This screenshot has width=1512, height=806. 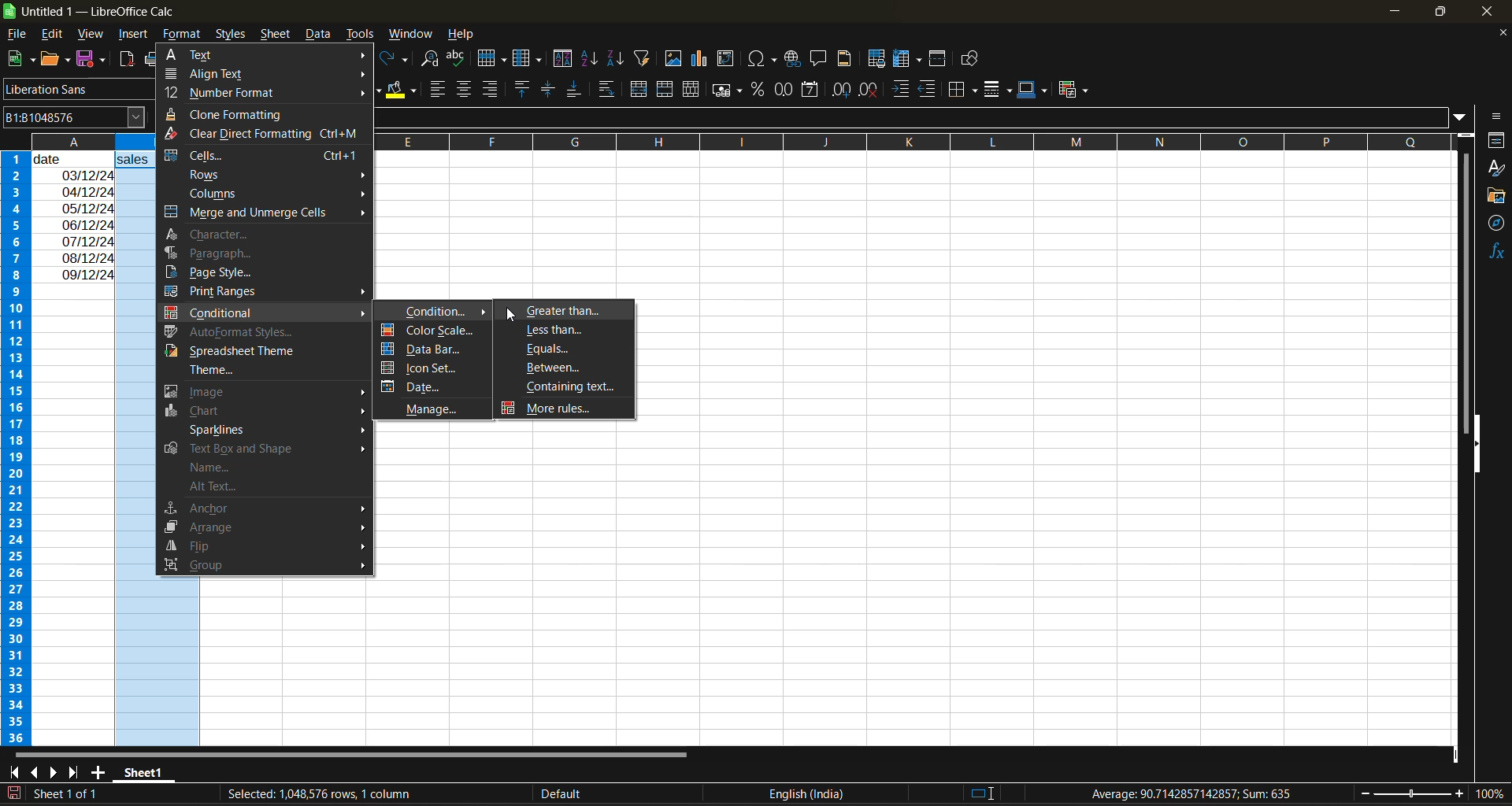 What do you see at coordinates (973, 59) in the screenshot?
I see `show draw functions` at bounding box center [973, 59].